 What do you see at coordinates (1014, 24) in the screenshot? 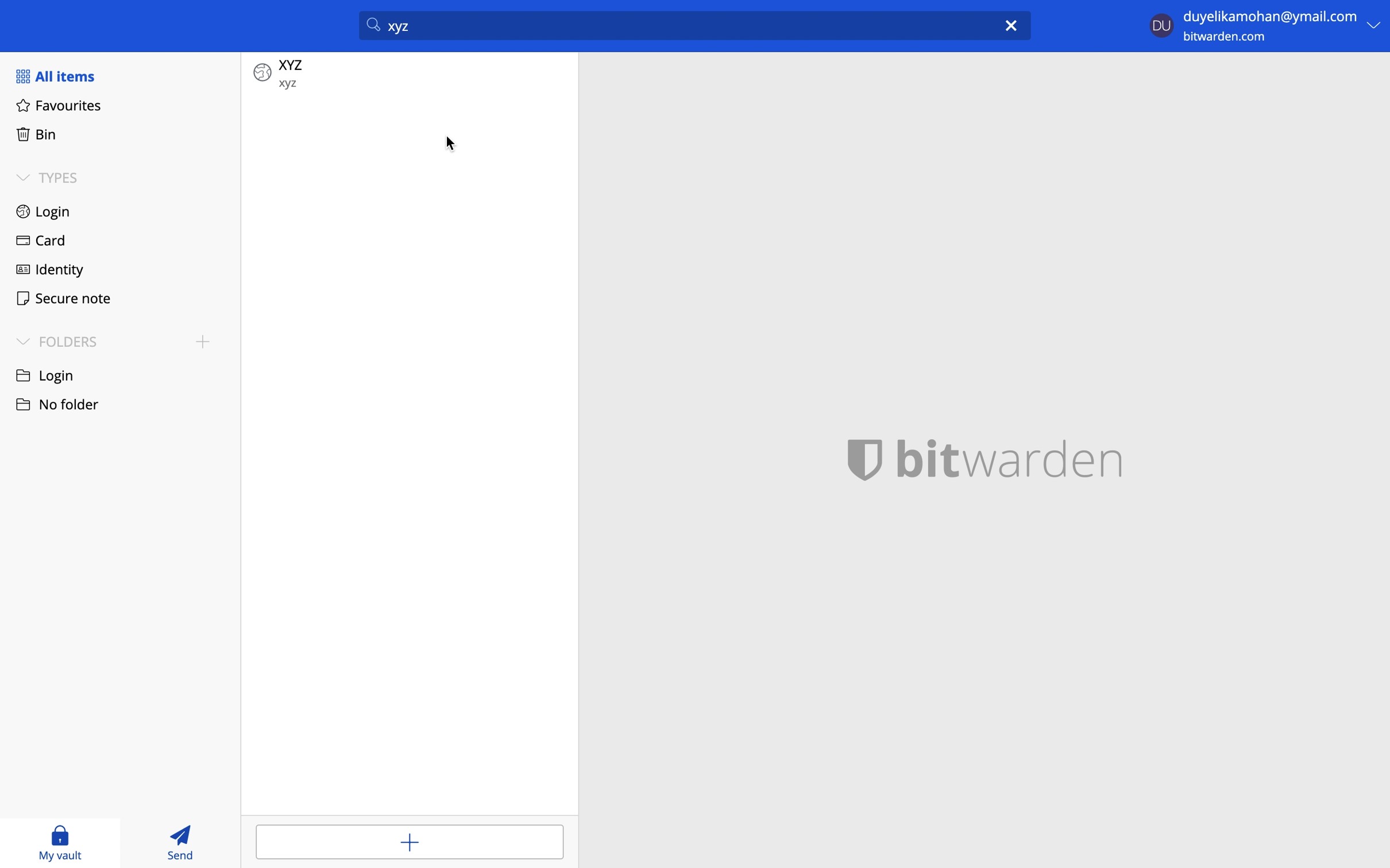
I see `delete current search` at bounding box center [1014, 24].